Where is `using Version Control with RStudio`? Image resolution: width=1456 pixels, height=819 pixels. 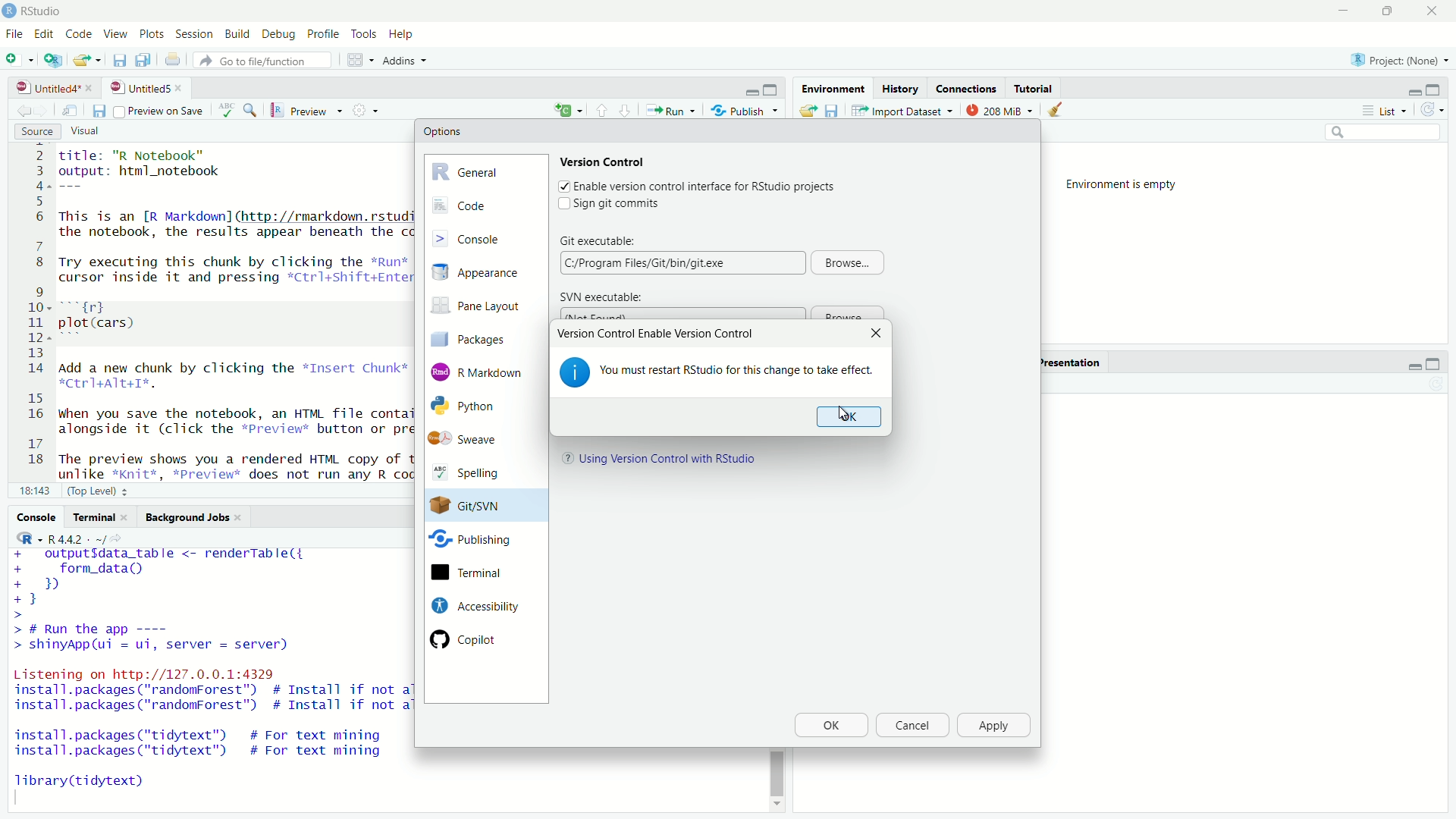
using Version Control with RStudio is located at coordinates (670, 460).